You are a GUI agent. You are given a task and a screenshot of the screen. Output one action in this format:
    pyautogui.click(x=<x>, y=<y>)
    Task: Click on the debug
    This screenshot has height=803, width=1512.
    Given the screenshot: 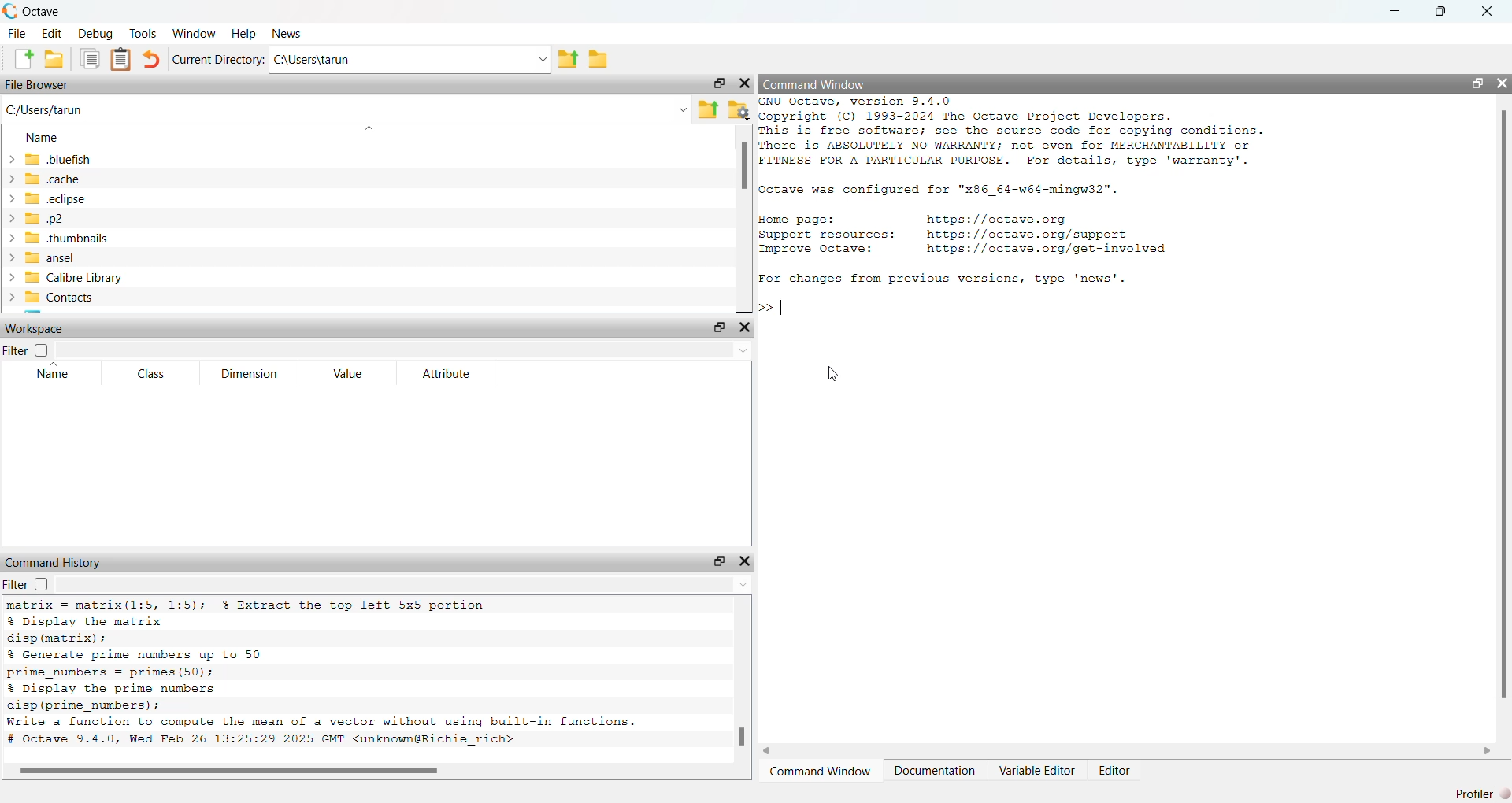 What is the action you would take?
    pyautogui.click(x=97, y=34)
    